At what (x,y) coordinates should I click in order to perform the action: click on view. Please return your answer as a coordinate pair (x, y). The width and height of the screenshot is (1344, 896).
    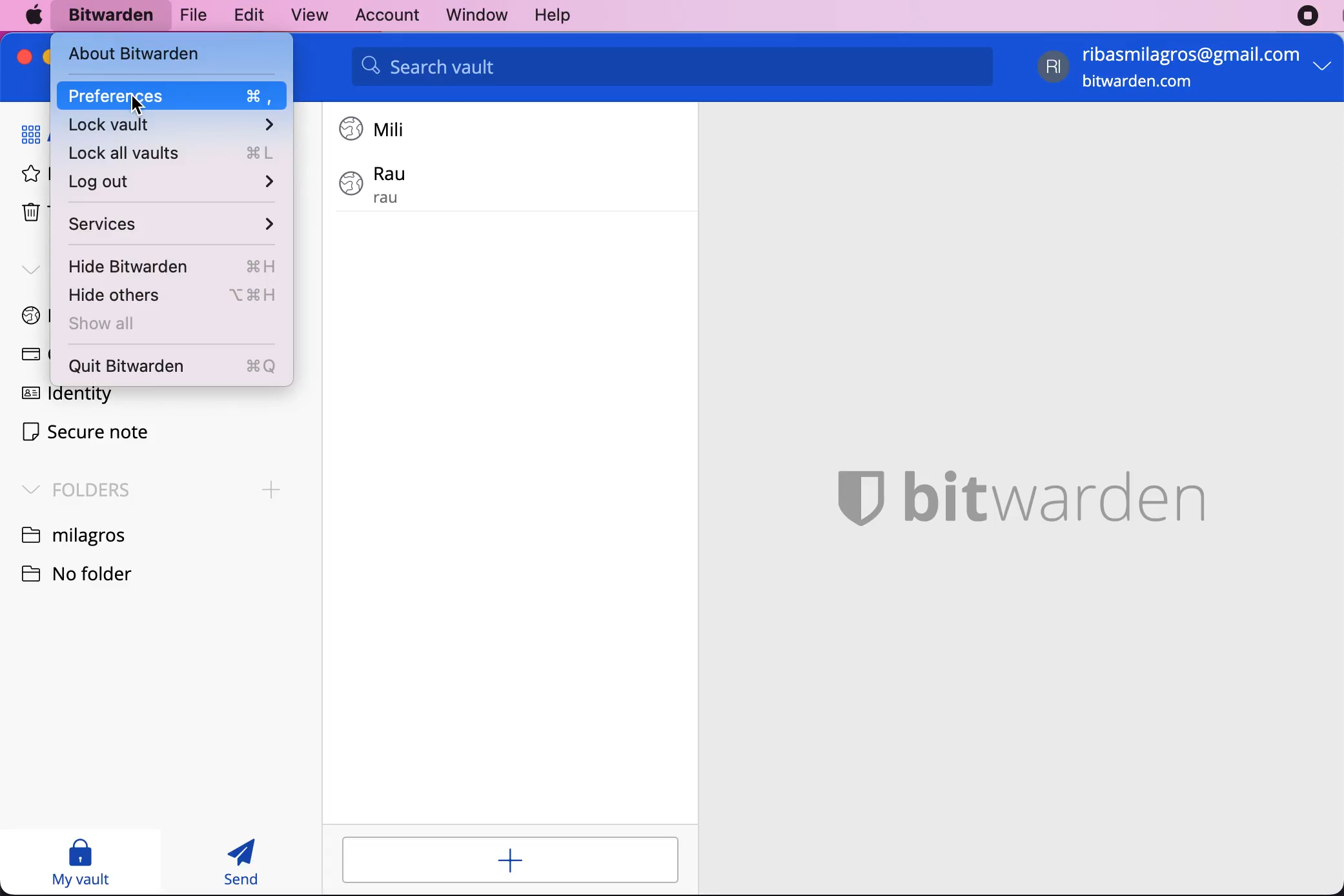
    Looking at the image, I should click on (303, 15).